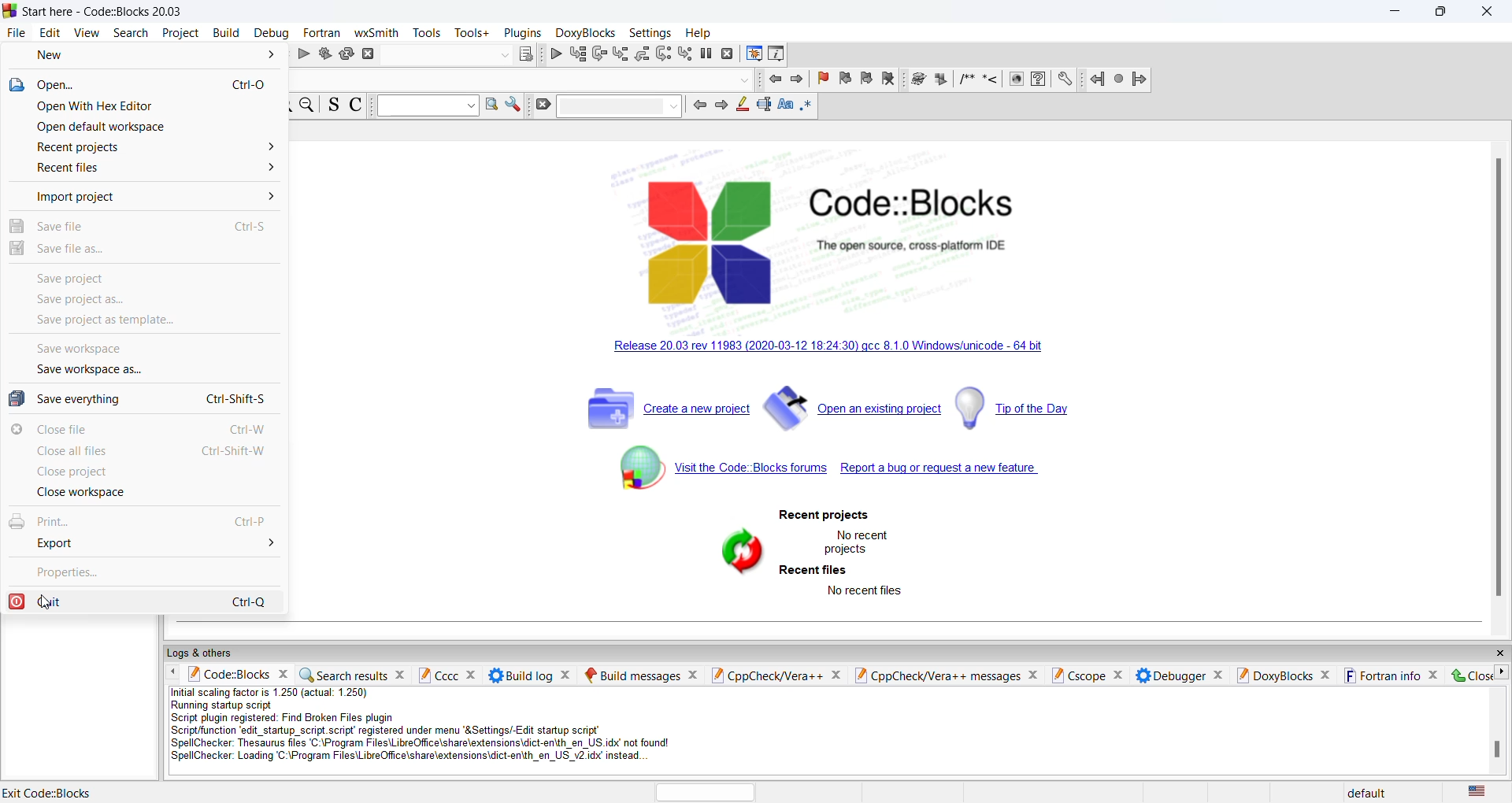 The image size is (1512, 803). I want to click on close workspace, so click(143, 497).